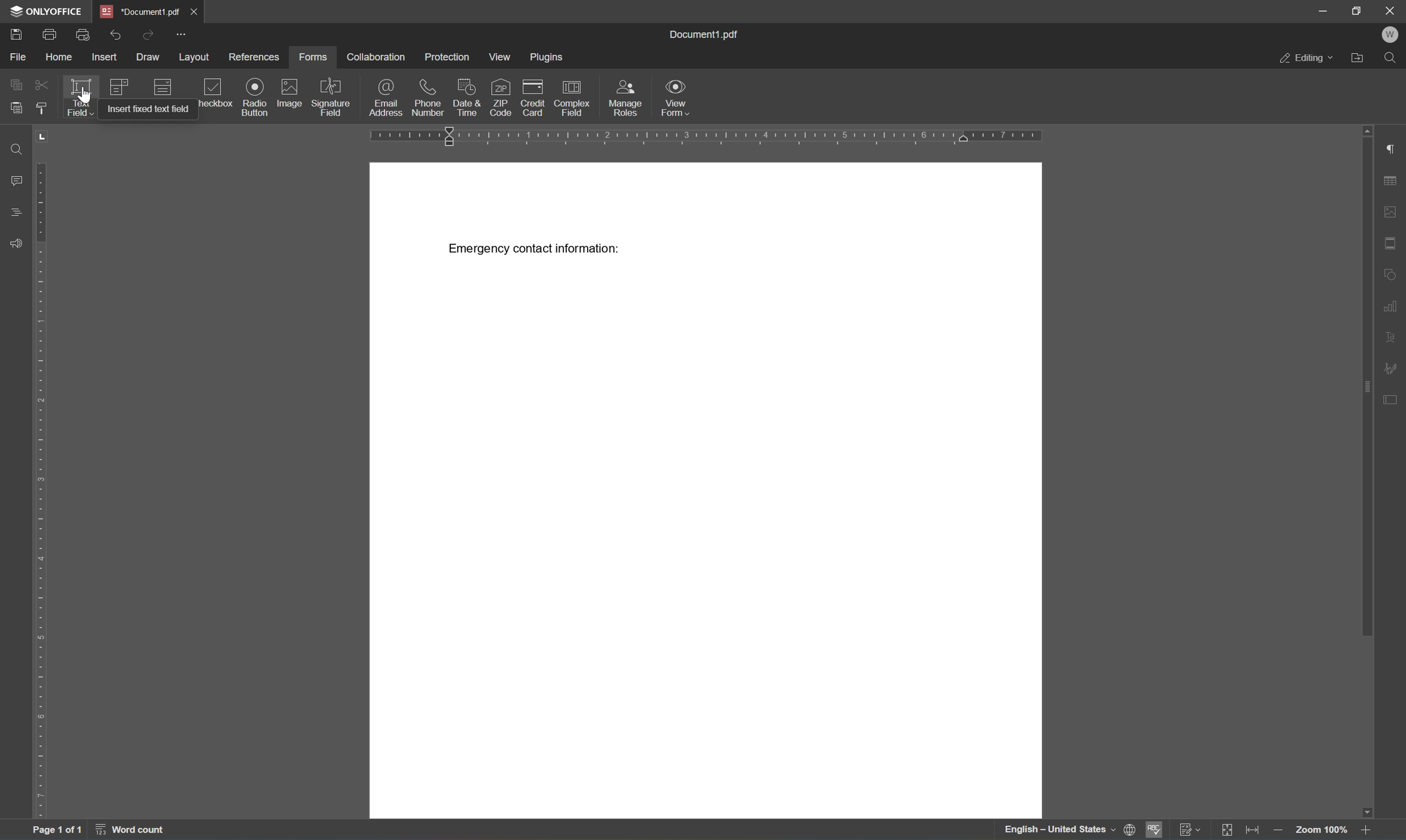 The width and height of the screenshot is (1406, 840). Describe the element at coordinates (1392, 179) in the screenshot. I see `table settings` at that location.